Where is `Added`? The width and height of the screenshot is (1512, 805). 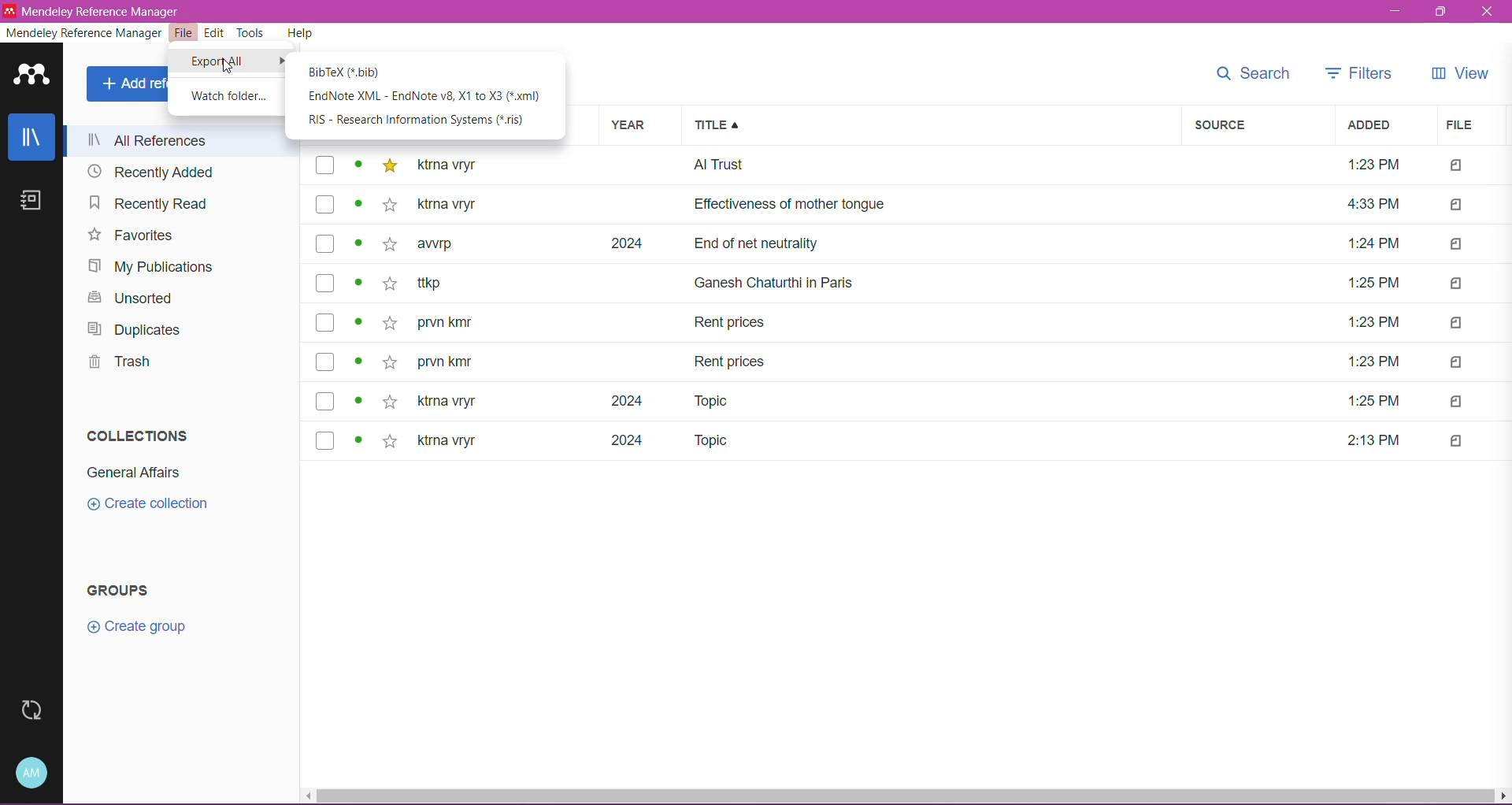 Added is located at coordinates (1382, 124).